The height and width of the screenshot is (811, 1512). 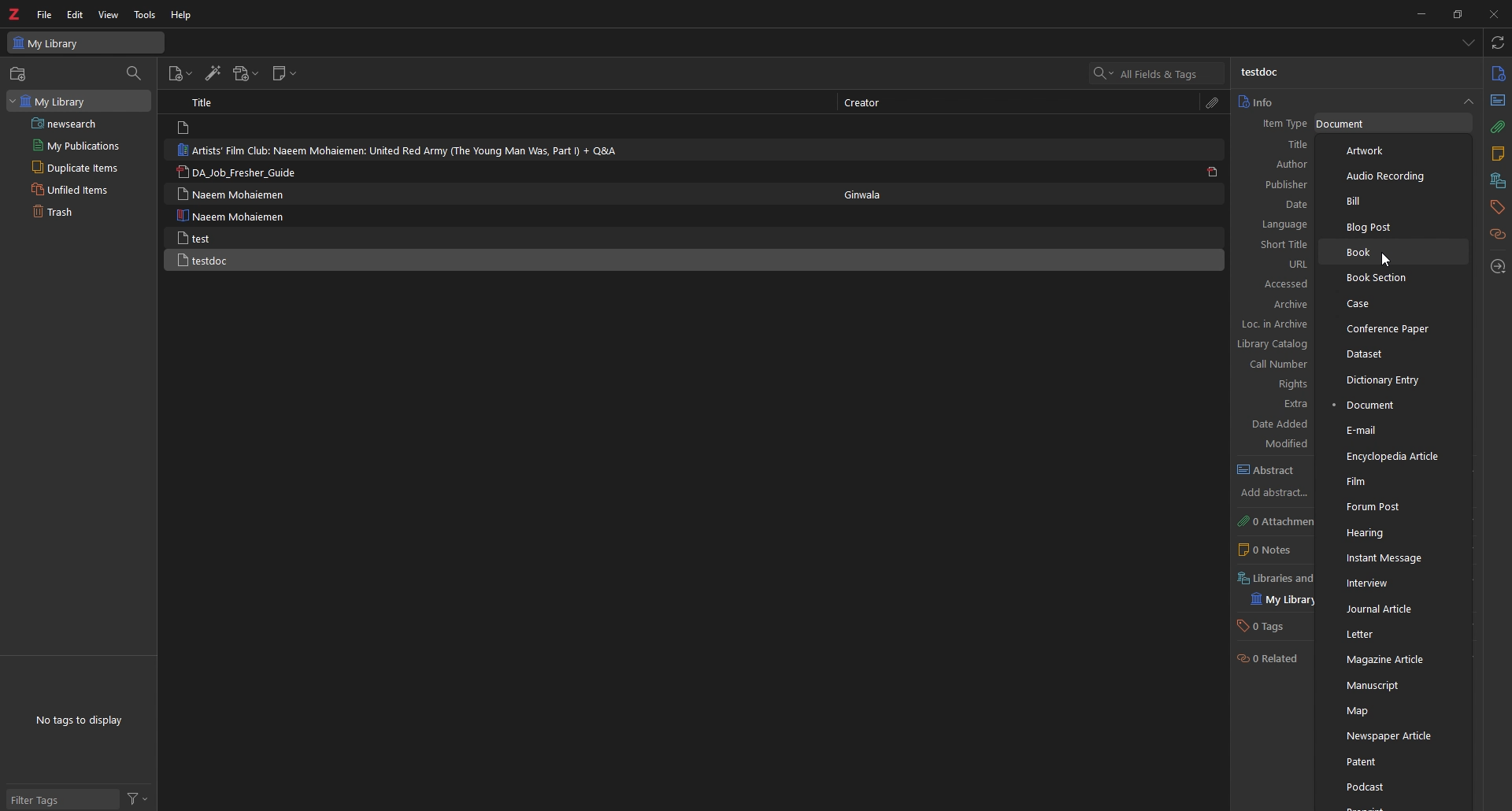 What do you see at coordinates (1158, 72) in the screenshot?
I see `search` at bounding box center [1158, 72].